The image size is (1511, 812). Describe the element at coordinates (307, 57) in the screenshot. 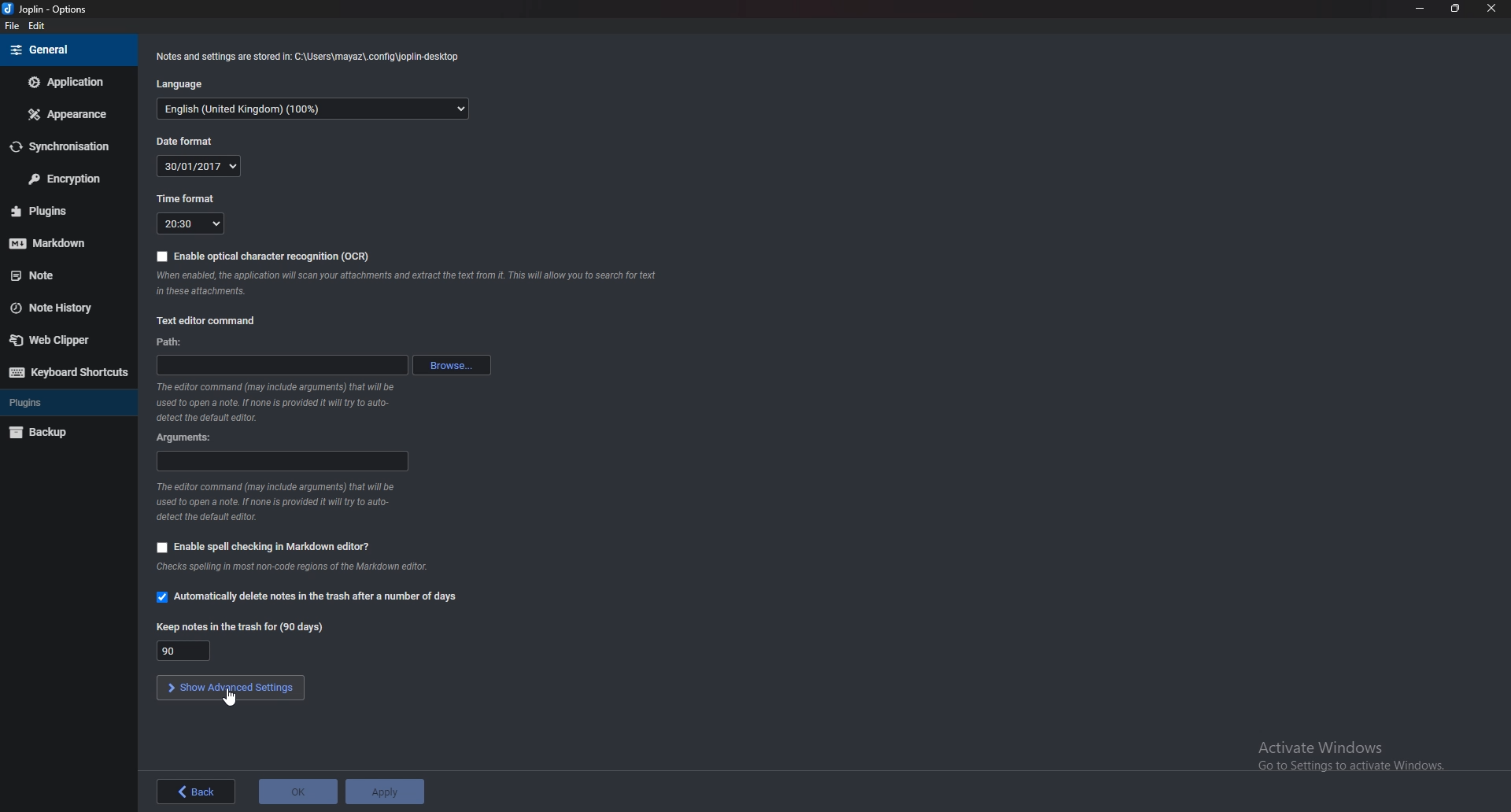

I see `Info` at that location.